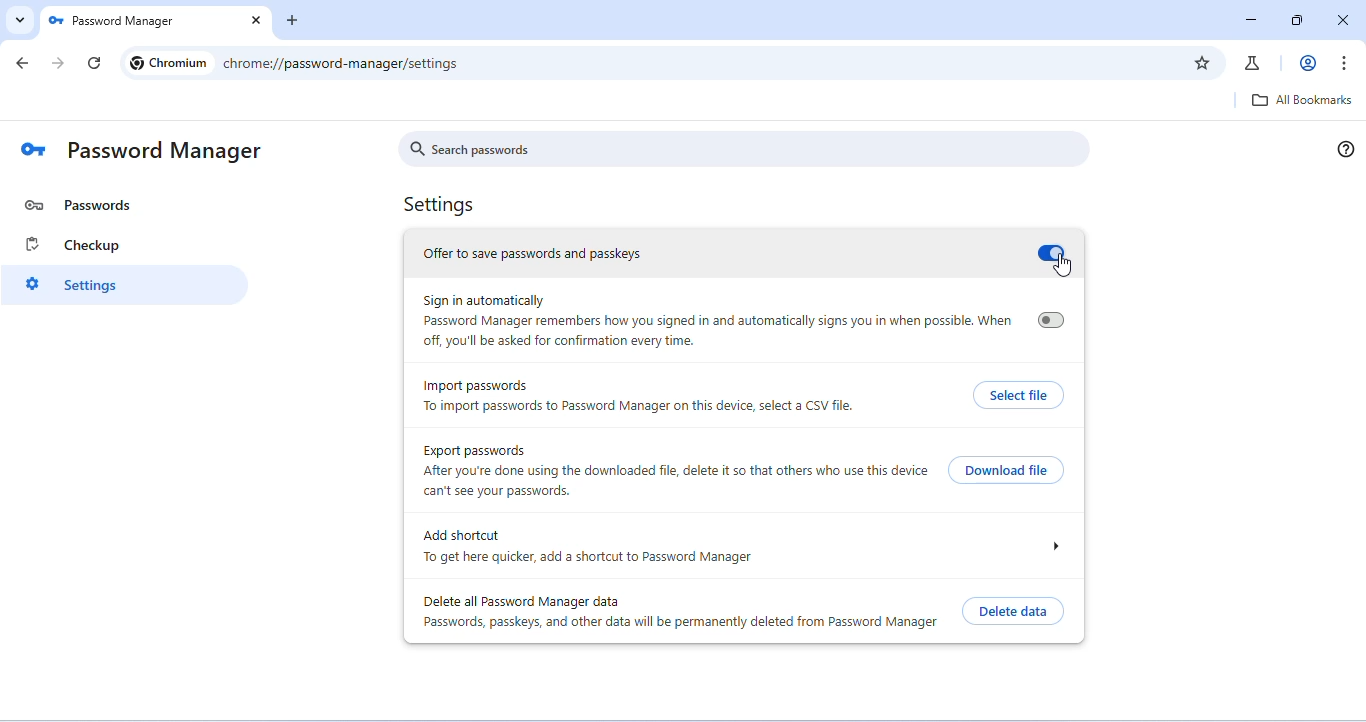  What do you see at coordinates (487, 302) in the screenshot?
I see `sign in automatically` at bounding box center [487, 302].